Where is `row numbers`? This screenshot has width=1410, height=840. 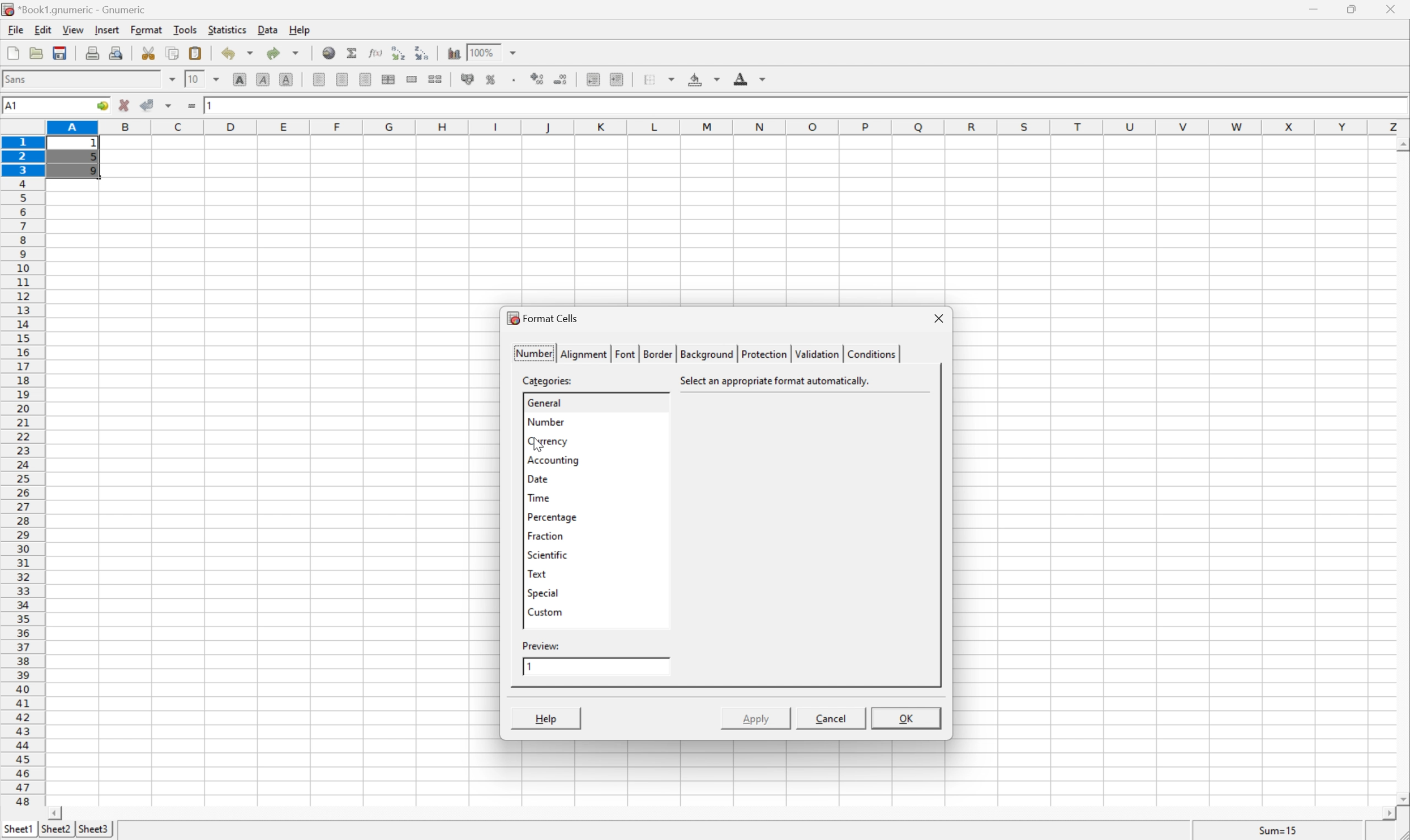
row numbers is located at coordinates (22, 472).